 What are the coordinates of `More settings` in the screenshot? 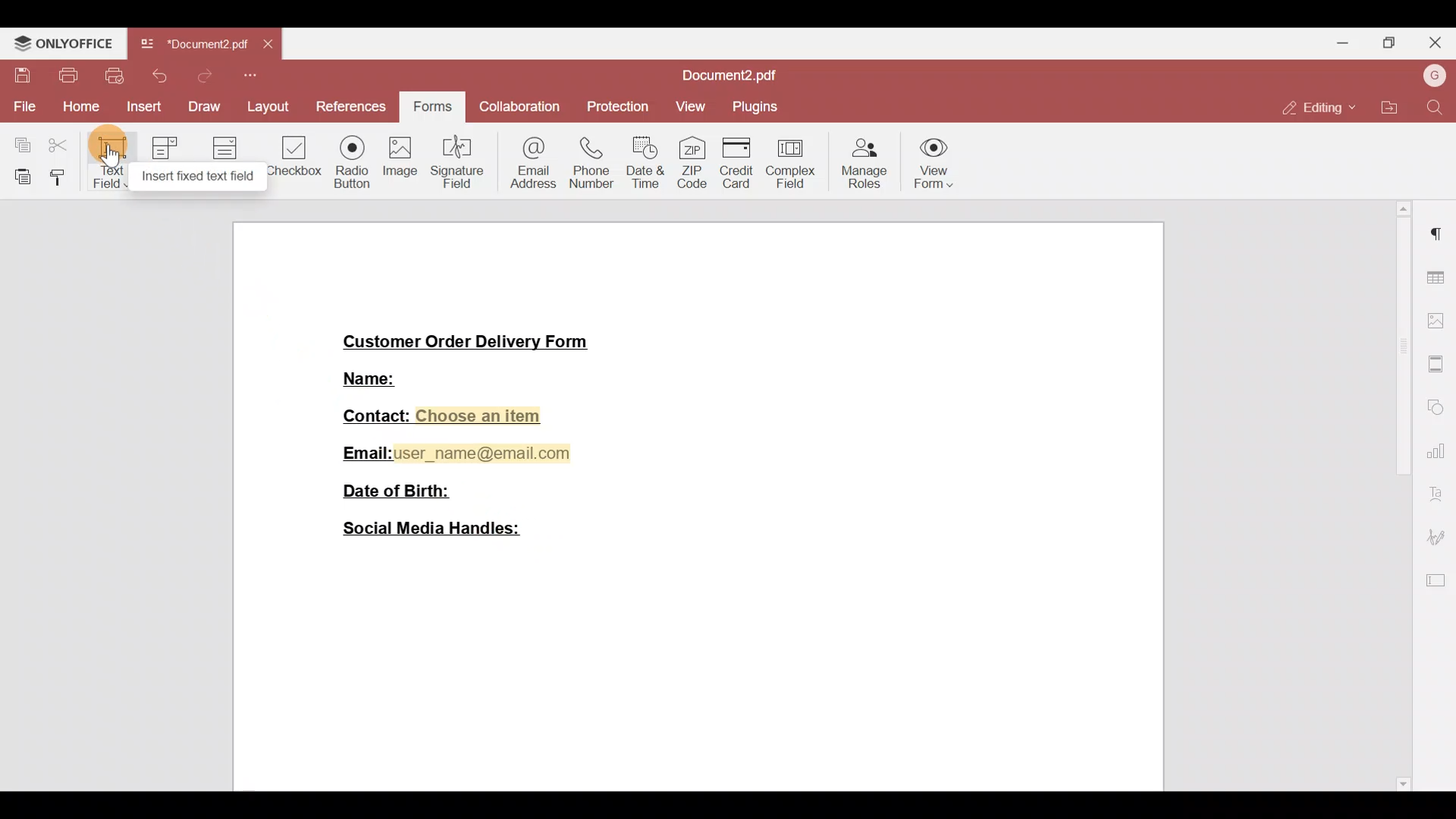 It's located at (1438, 359).